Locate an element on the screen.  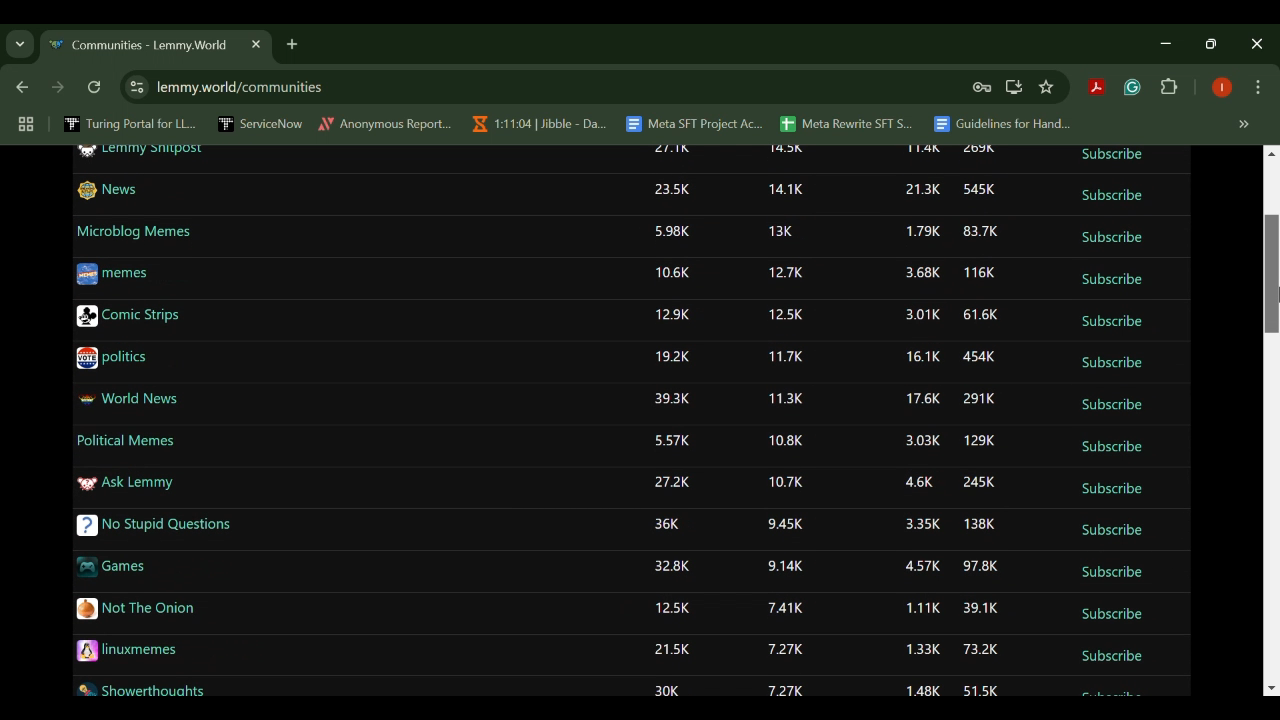
27.1K is located at coordinates (674, 151).